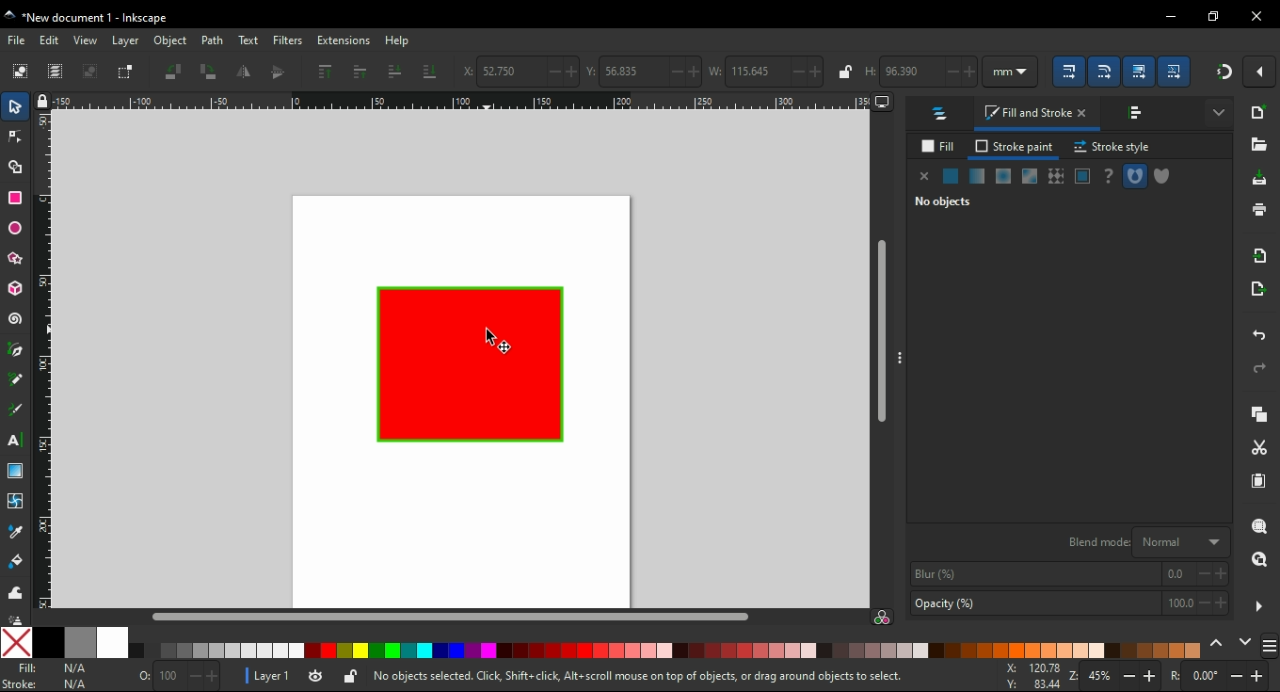 The image size is (1280, 692). Describe the element at coordinates (1249, 676) in the screenshot. I see `increase/decrease` at that location.